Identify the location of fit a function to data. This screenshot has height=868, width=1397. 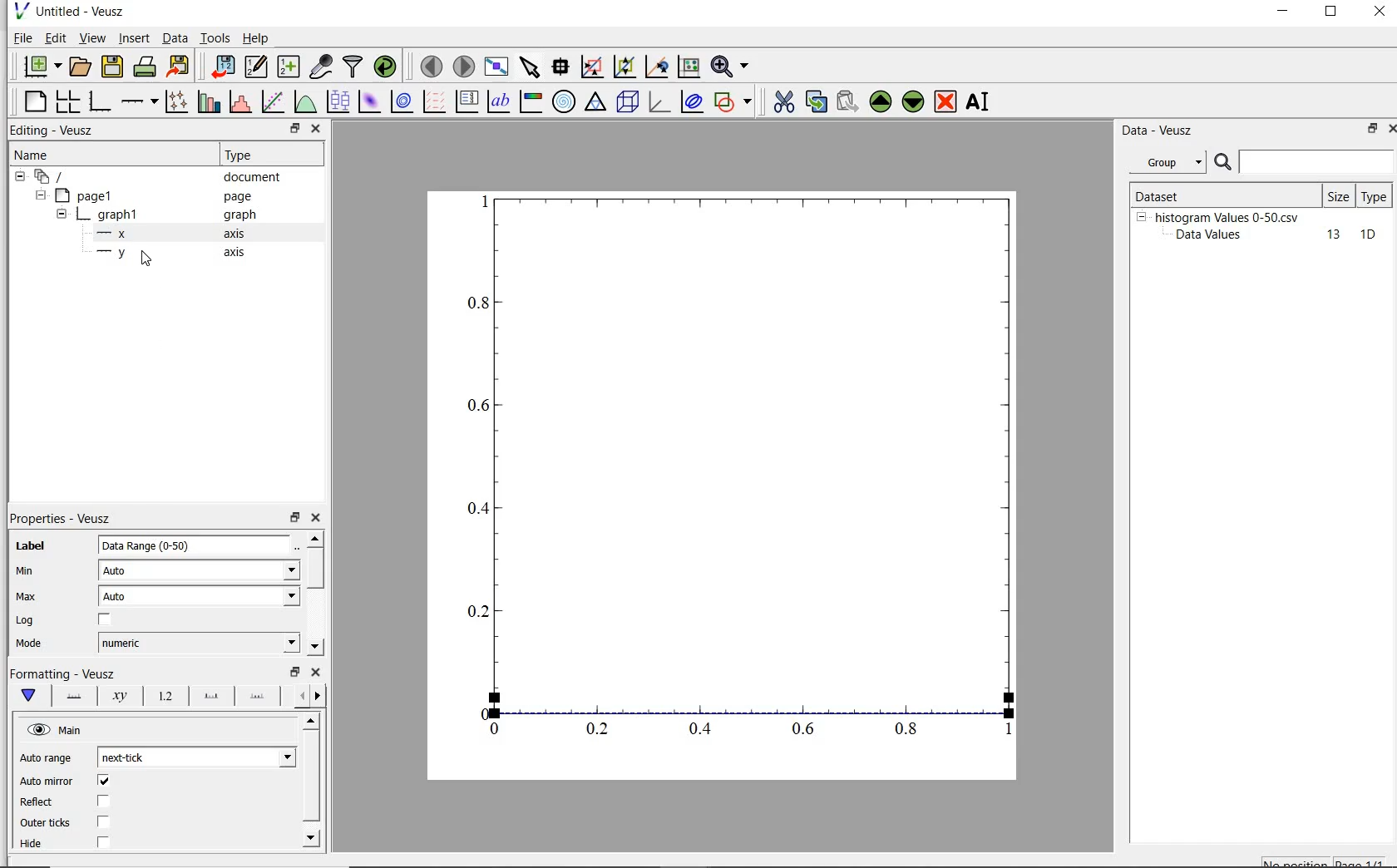
(274, 101).